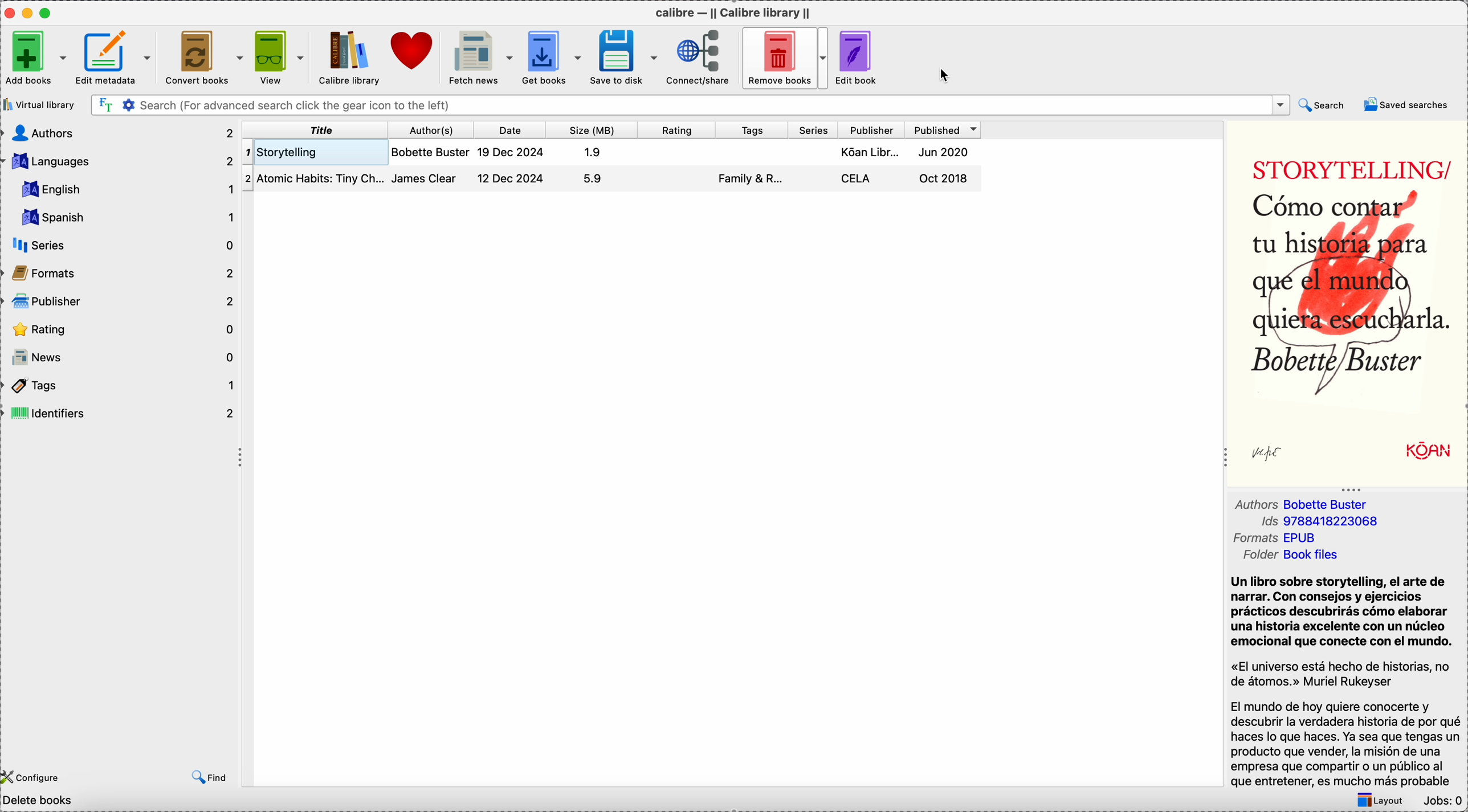 This screenshot has width=1468, height=812. I want to click on convert books, so click(200, 58).